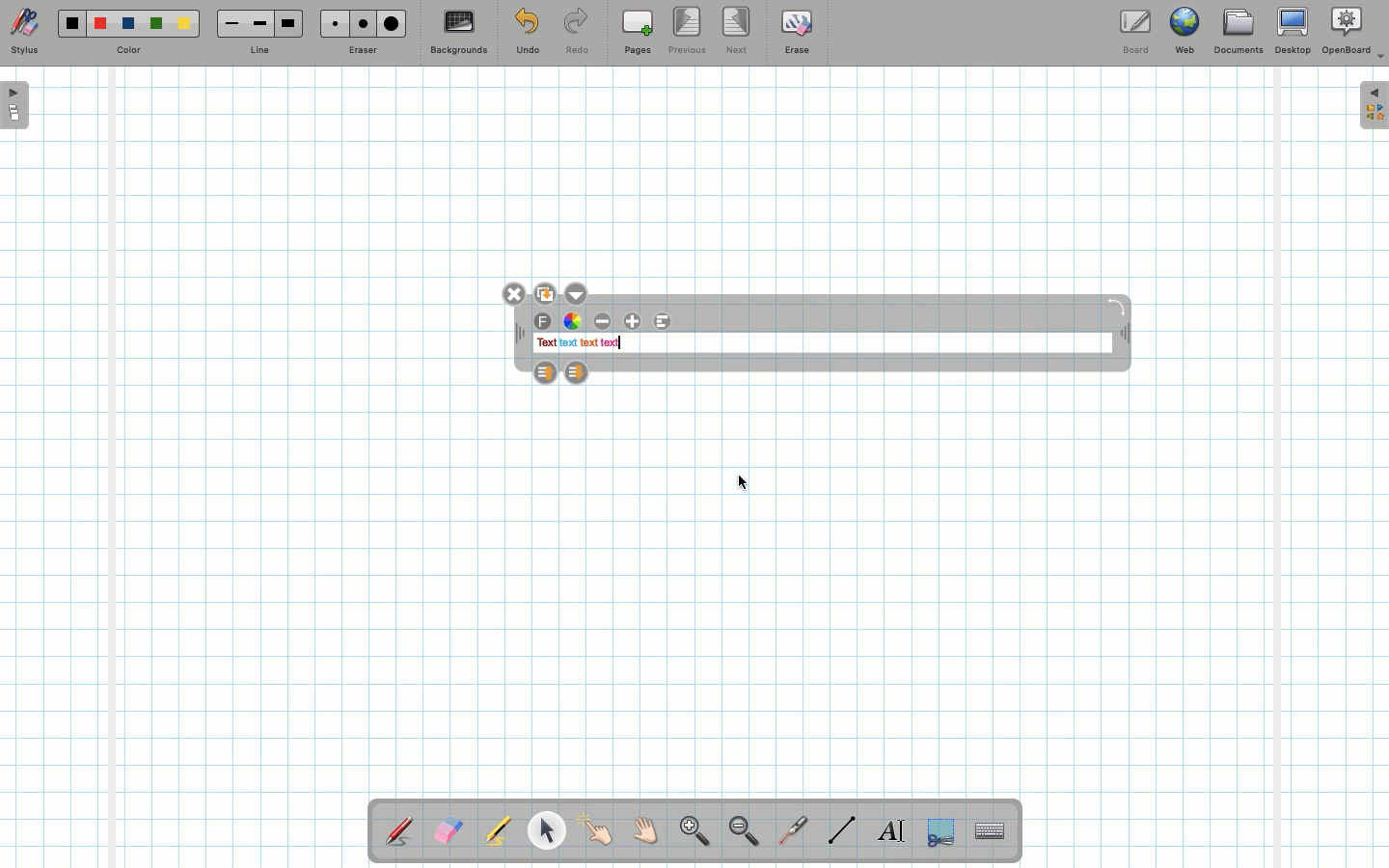 Image resolution: width=1389 pixels, height=868 pixels. I want to click on Decrease font size, so click(604, 321).